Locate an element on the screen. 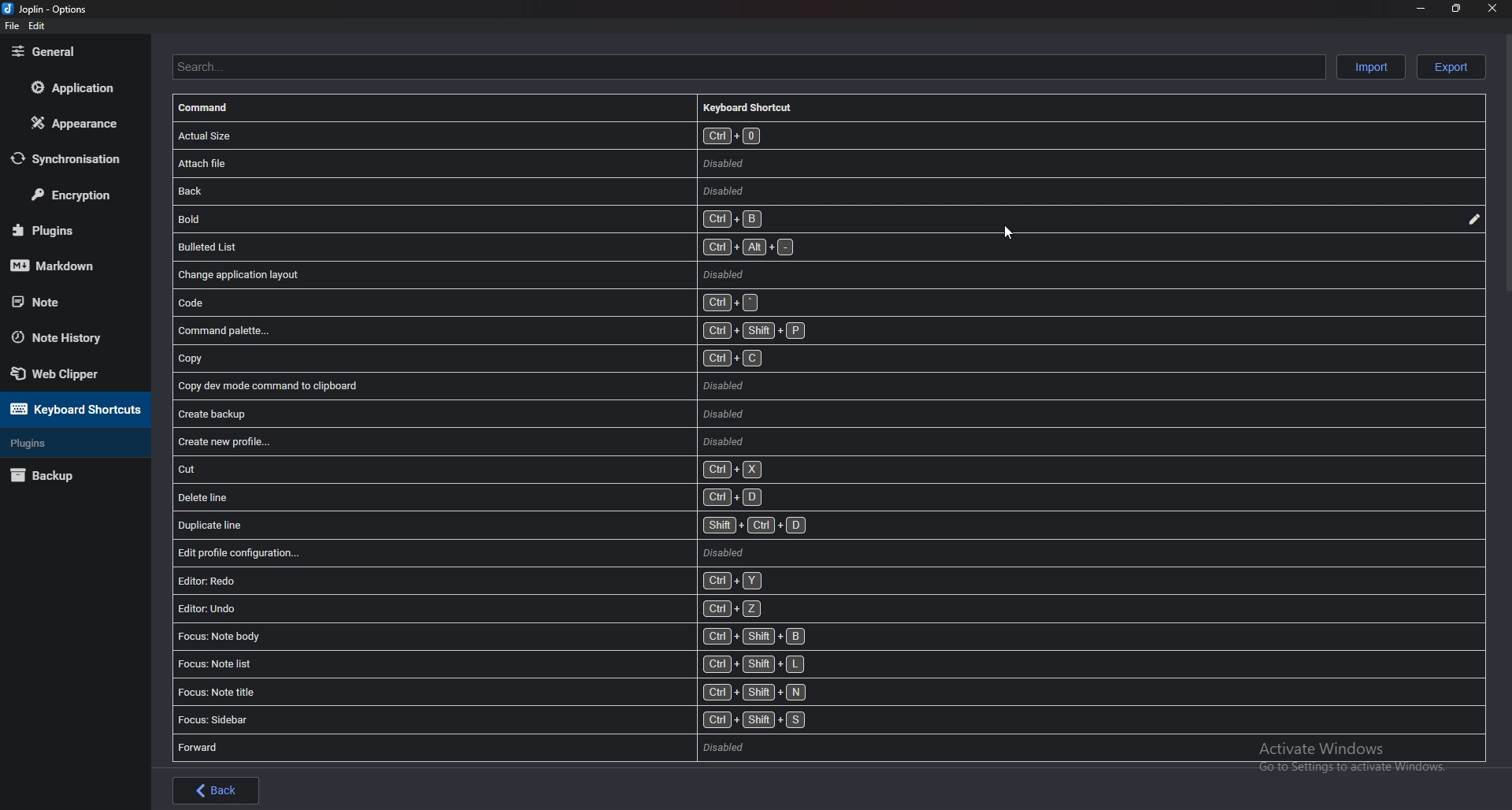 This screenshot has width=1512, height=810. Back is located at coordinates (216, 790).